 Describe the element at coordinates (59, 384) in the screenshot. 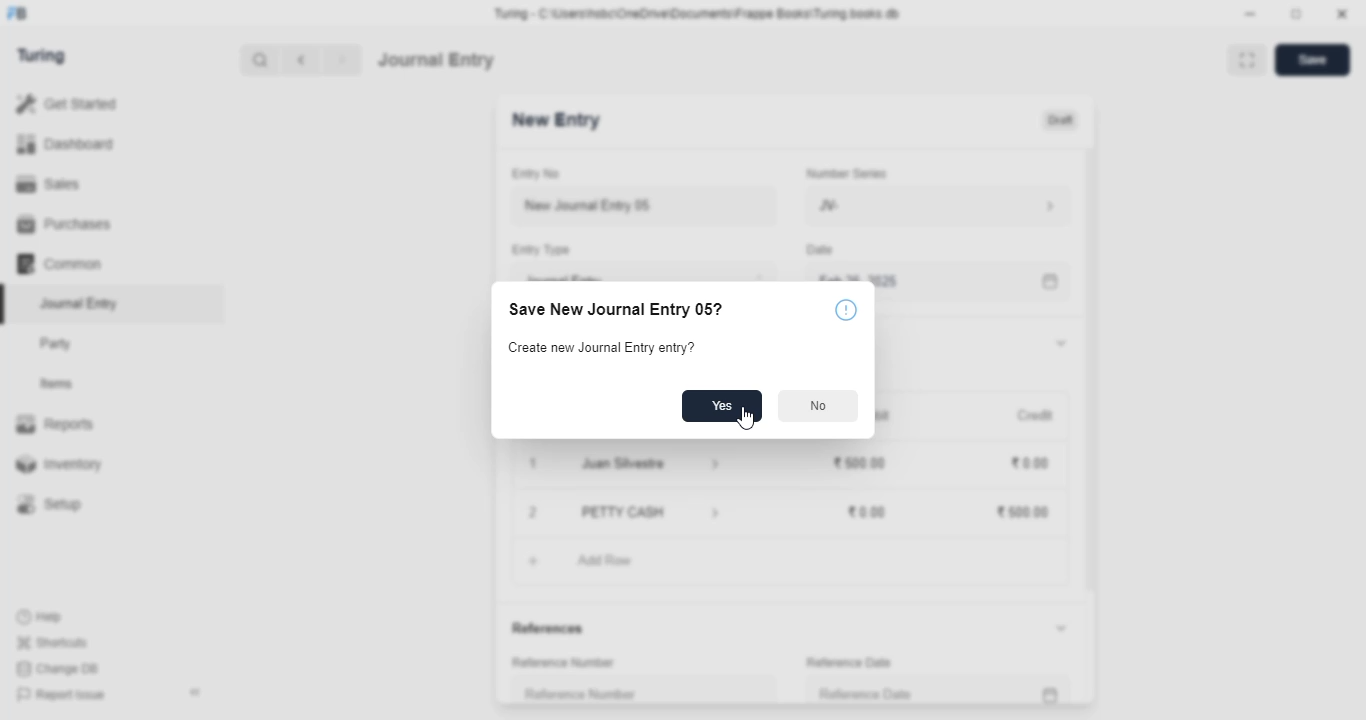

I see `items` at that location.